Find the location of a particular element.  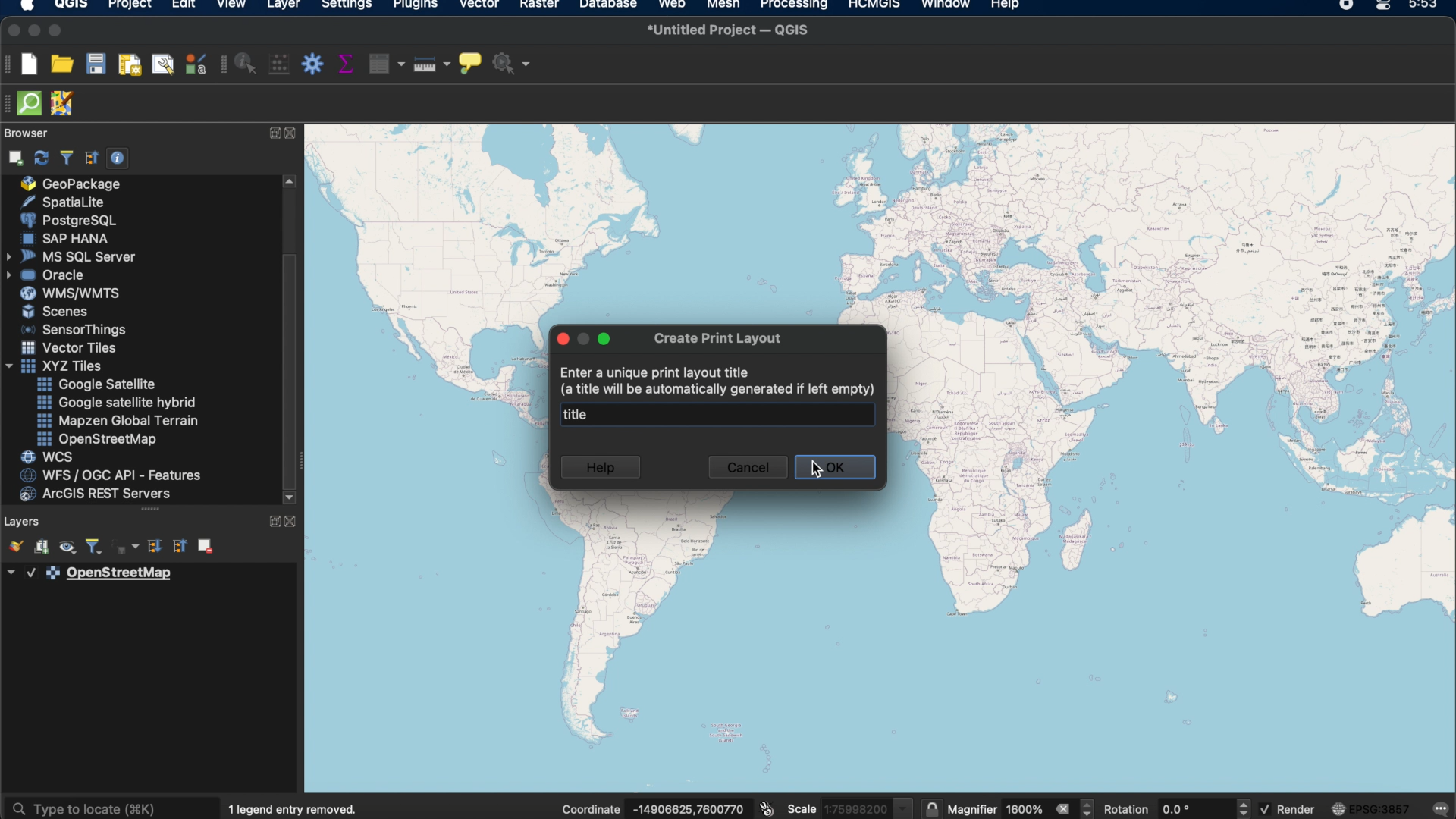

wcs is located at coordinates (76, 457).